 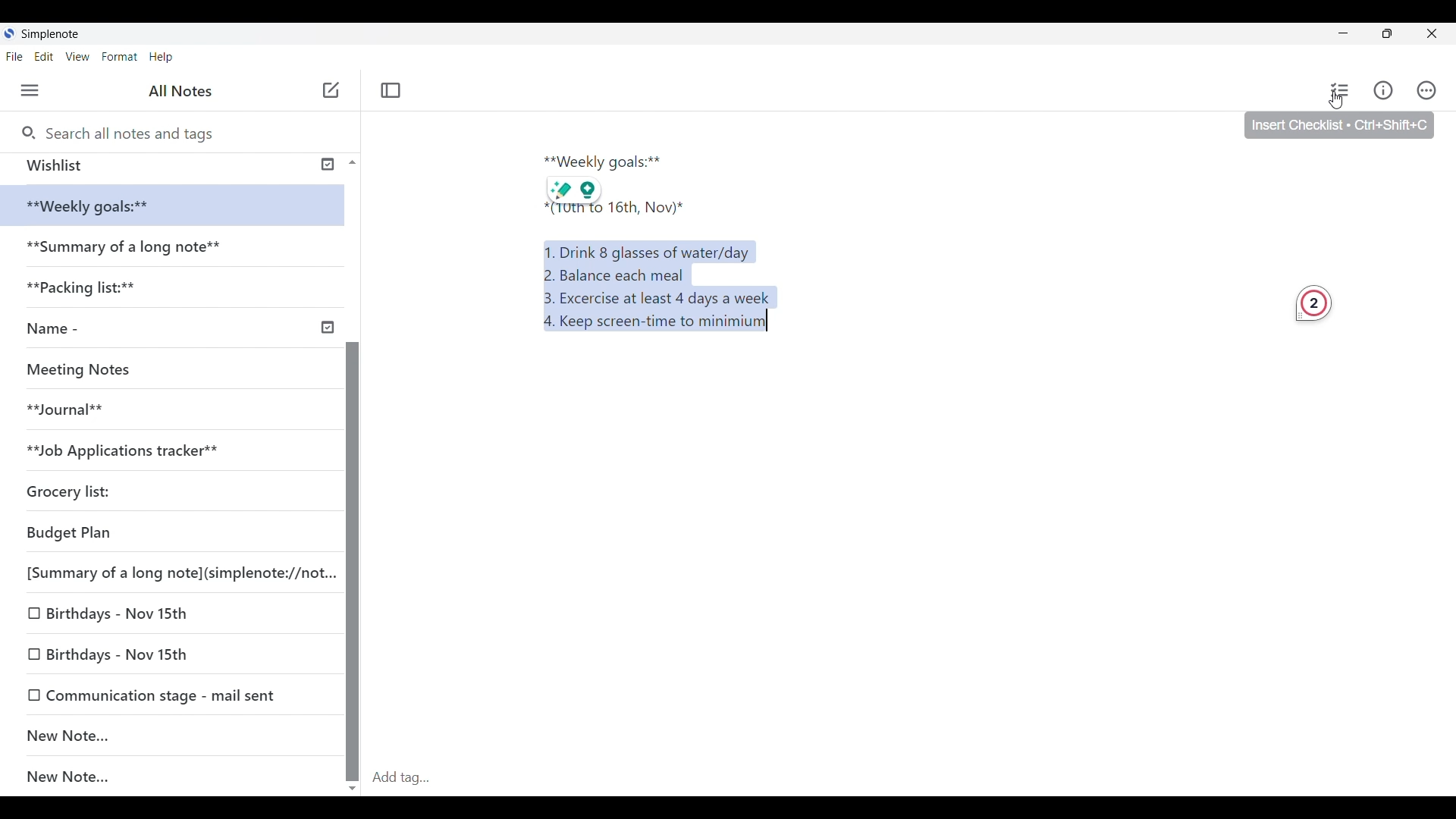 I want to click on New note, so click(x=331, y=89).